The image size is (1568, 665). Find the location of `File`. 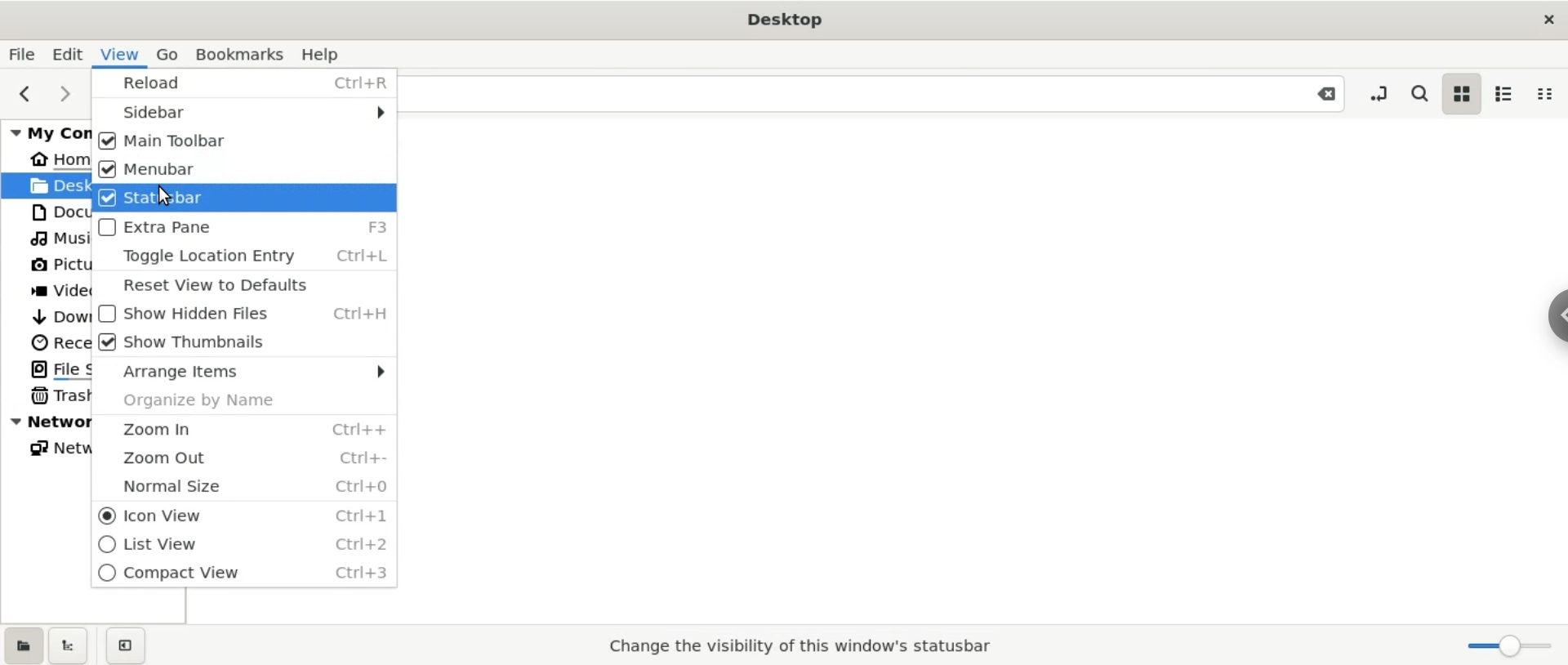

File is located at coordinates (20, 55).